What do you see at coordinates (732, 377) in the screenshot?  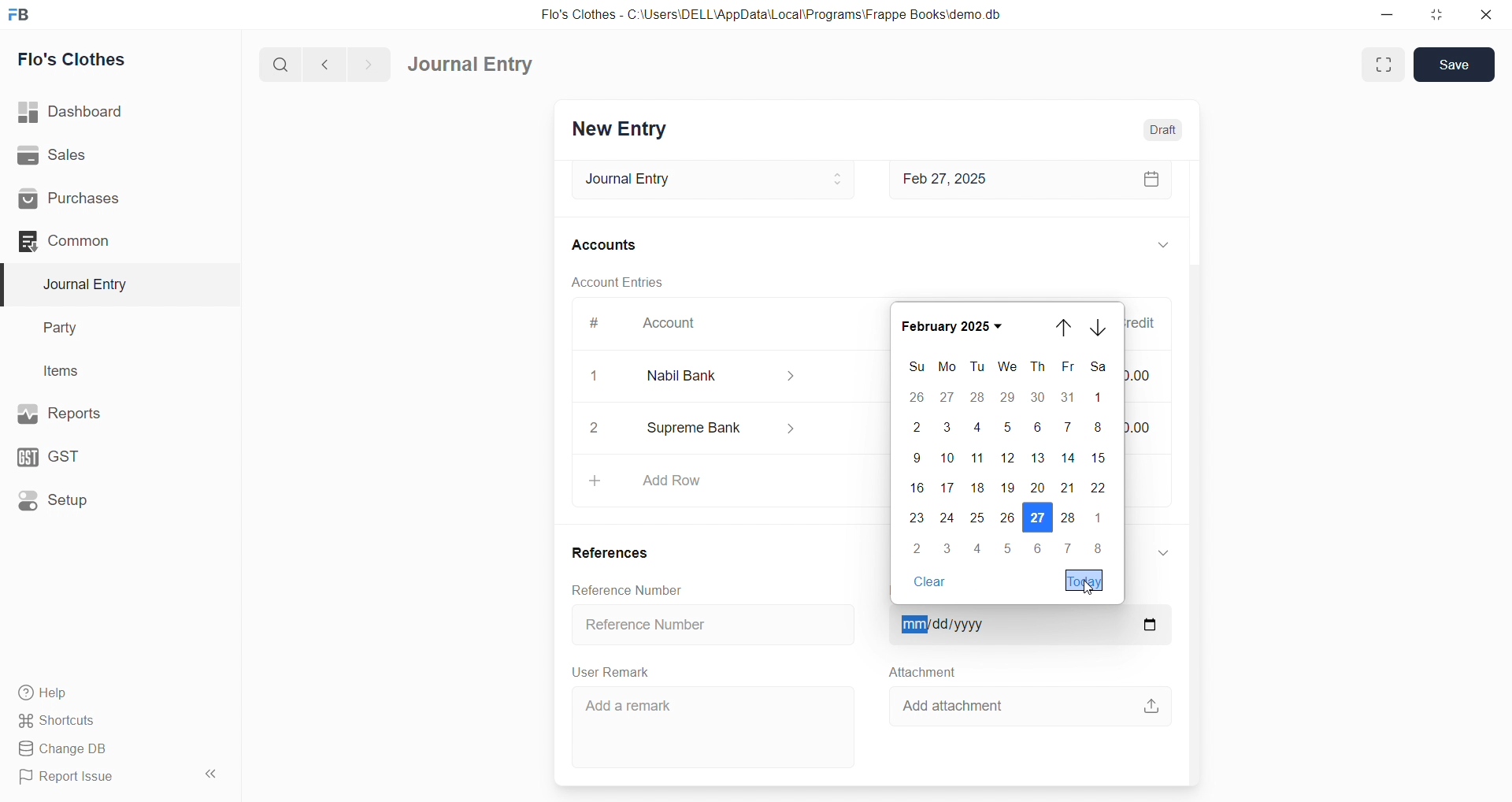 I see `Nabil Bank` at bounding box center [732, 377].